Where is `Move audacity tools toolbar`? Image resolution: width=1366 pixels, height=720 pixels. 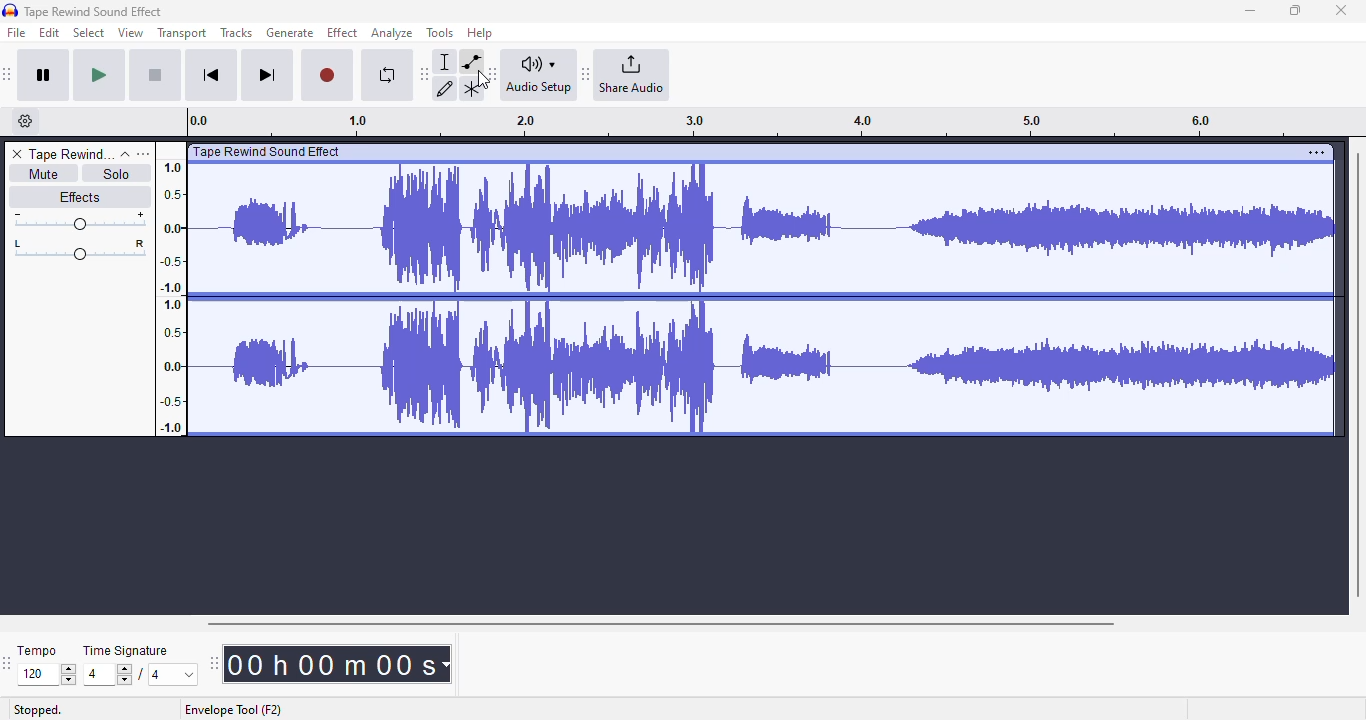 Move audacity tools toolbar is located at coordinates (425, 73).